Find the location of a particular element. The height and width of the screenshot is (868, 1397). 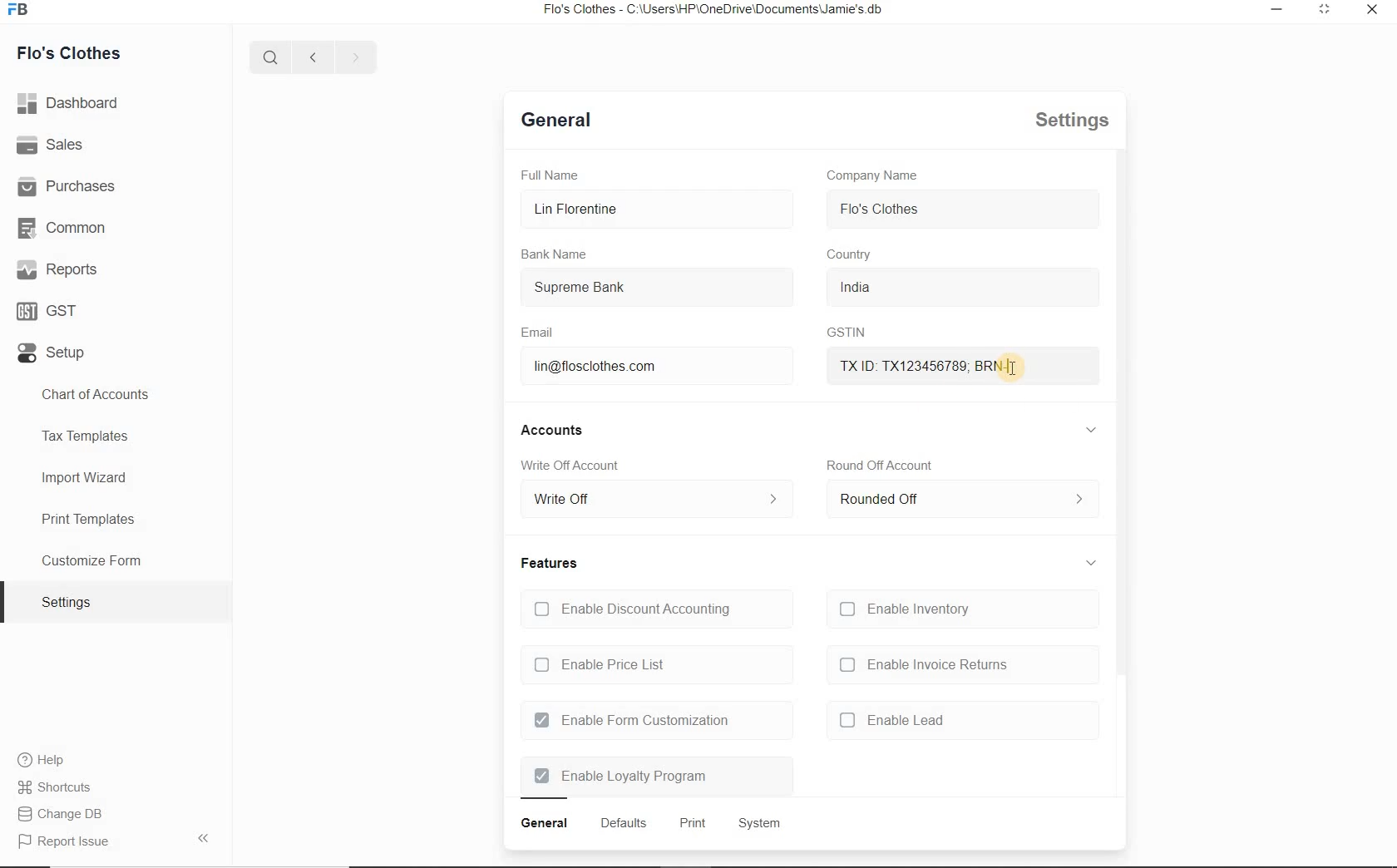

previous is located at coordinates (311, 57).